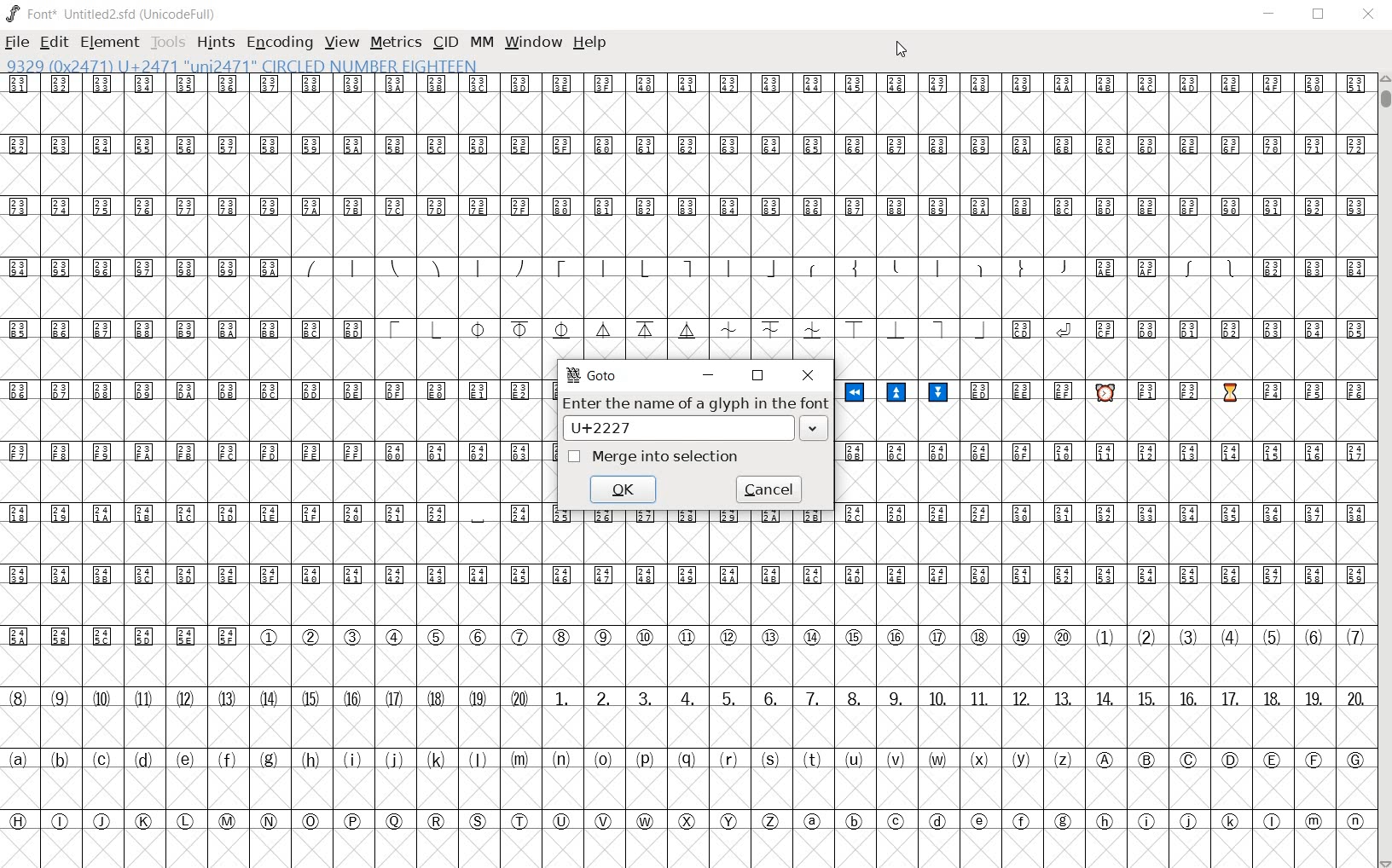 This screenshot has width=1392, height=868. I want to click on GoTo, so click(591, 375).